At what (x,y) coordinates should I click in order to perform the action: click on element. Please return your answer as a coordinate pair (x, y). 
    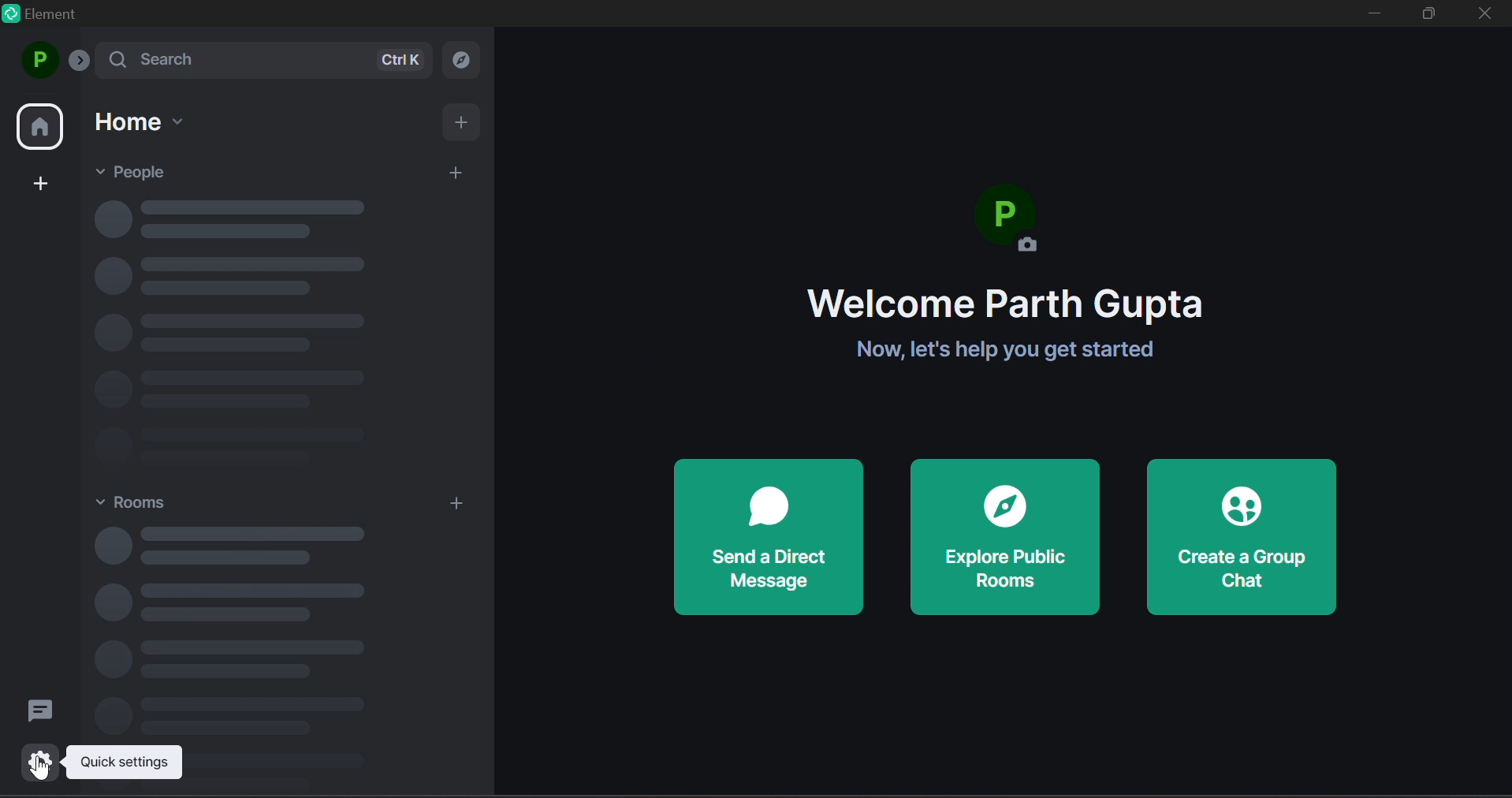
    Looking at the image, I should click on (50, 17).